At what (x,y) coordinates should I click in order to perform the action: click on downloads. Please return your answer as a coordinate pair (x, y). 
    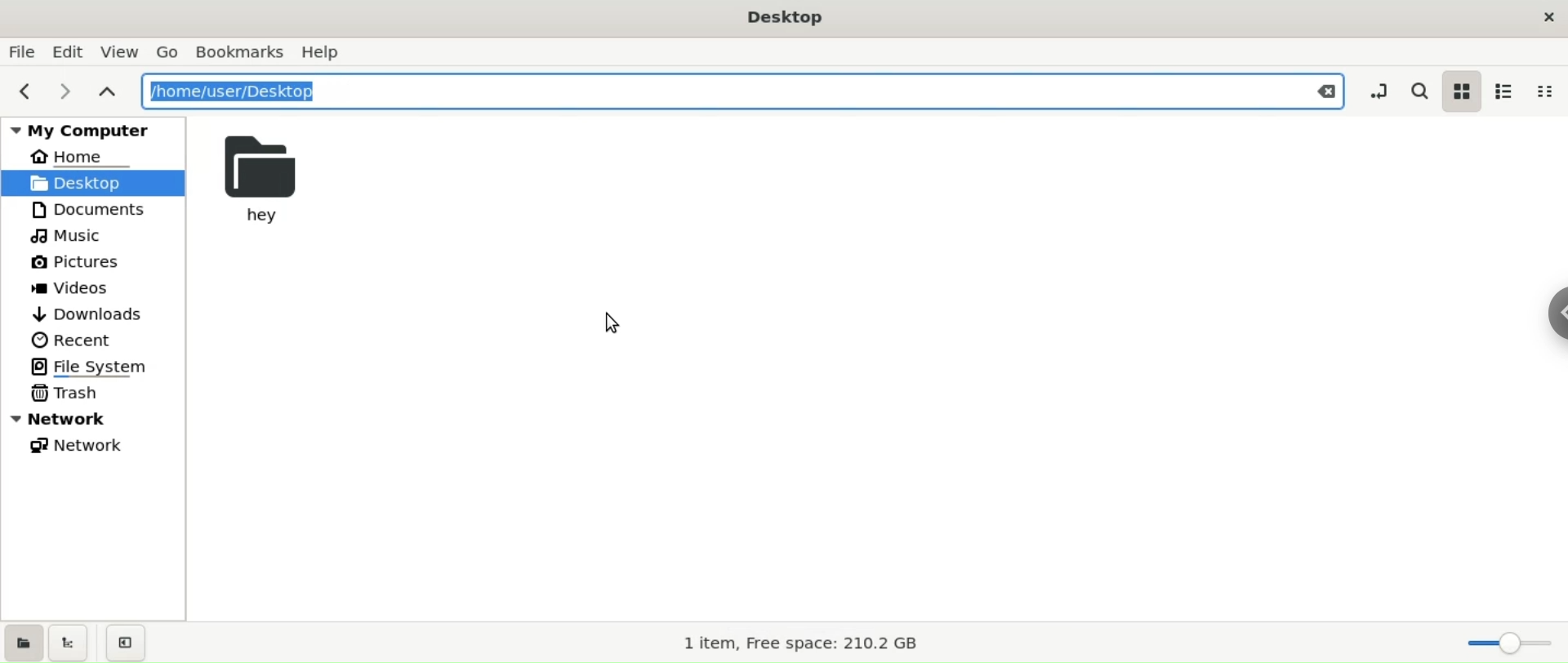
    Looking at the image, I should click on (91, 315).